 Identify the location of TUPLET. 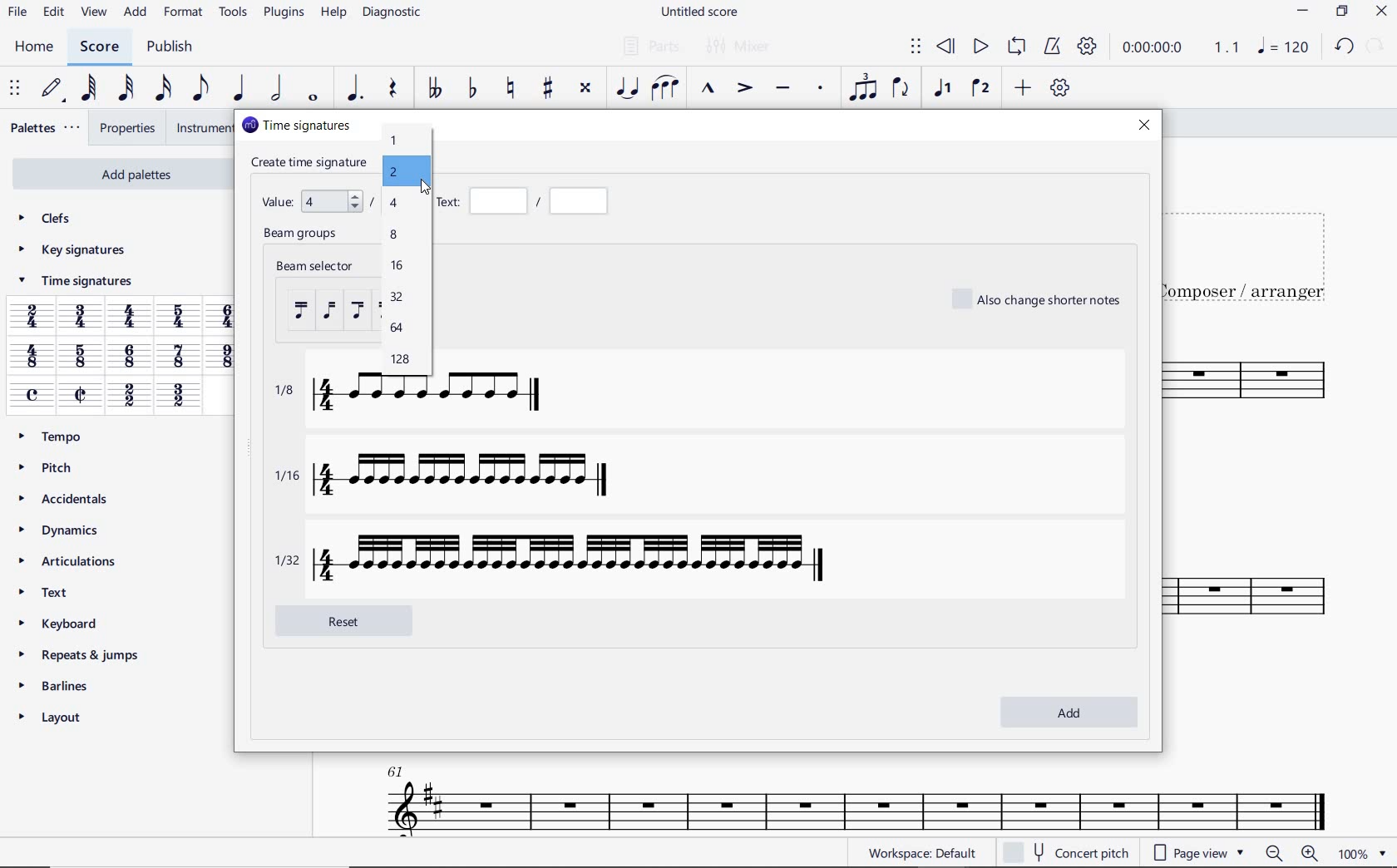
(861, 89).